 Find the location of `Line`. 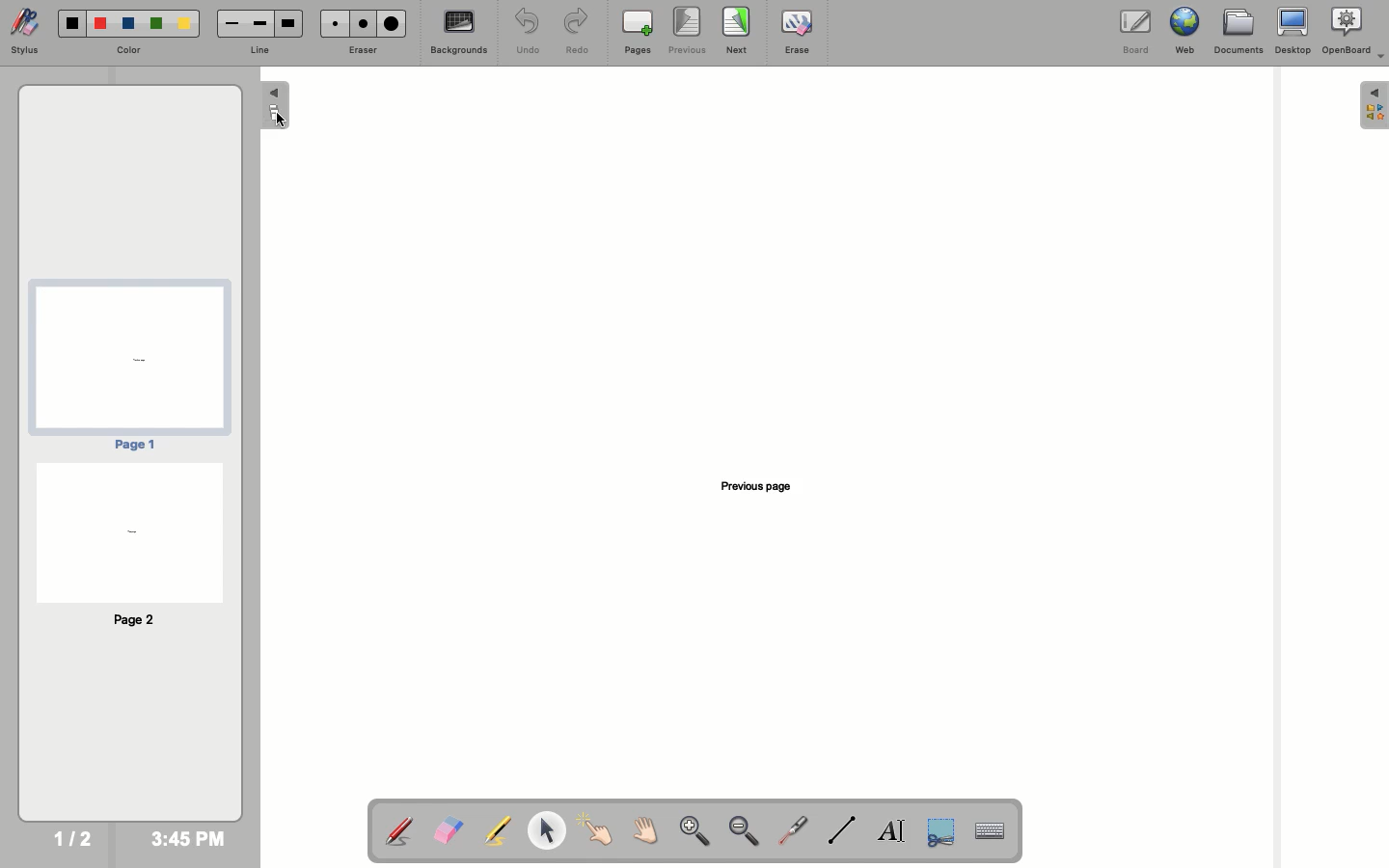

Line is located at coordinates (256, 52).